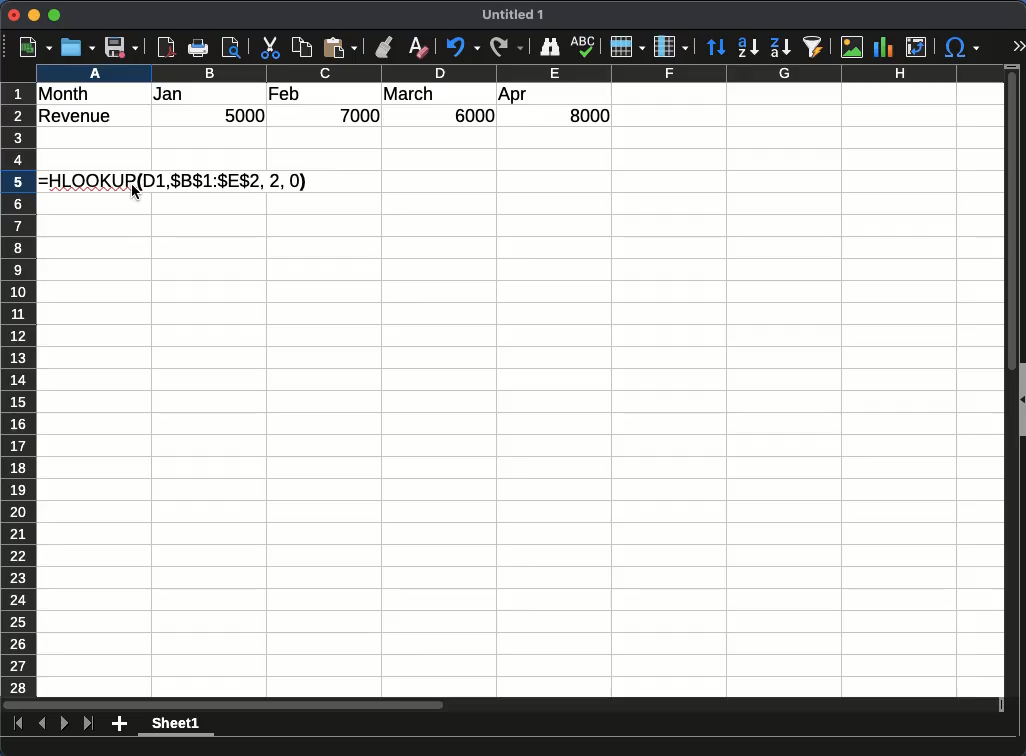 This screenshot has width=1026, height=756. What do you see at coordinates (626, 47) in the screenshot?
I see `row` at bounding box center [626, 47].